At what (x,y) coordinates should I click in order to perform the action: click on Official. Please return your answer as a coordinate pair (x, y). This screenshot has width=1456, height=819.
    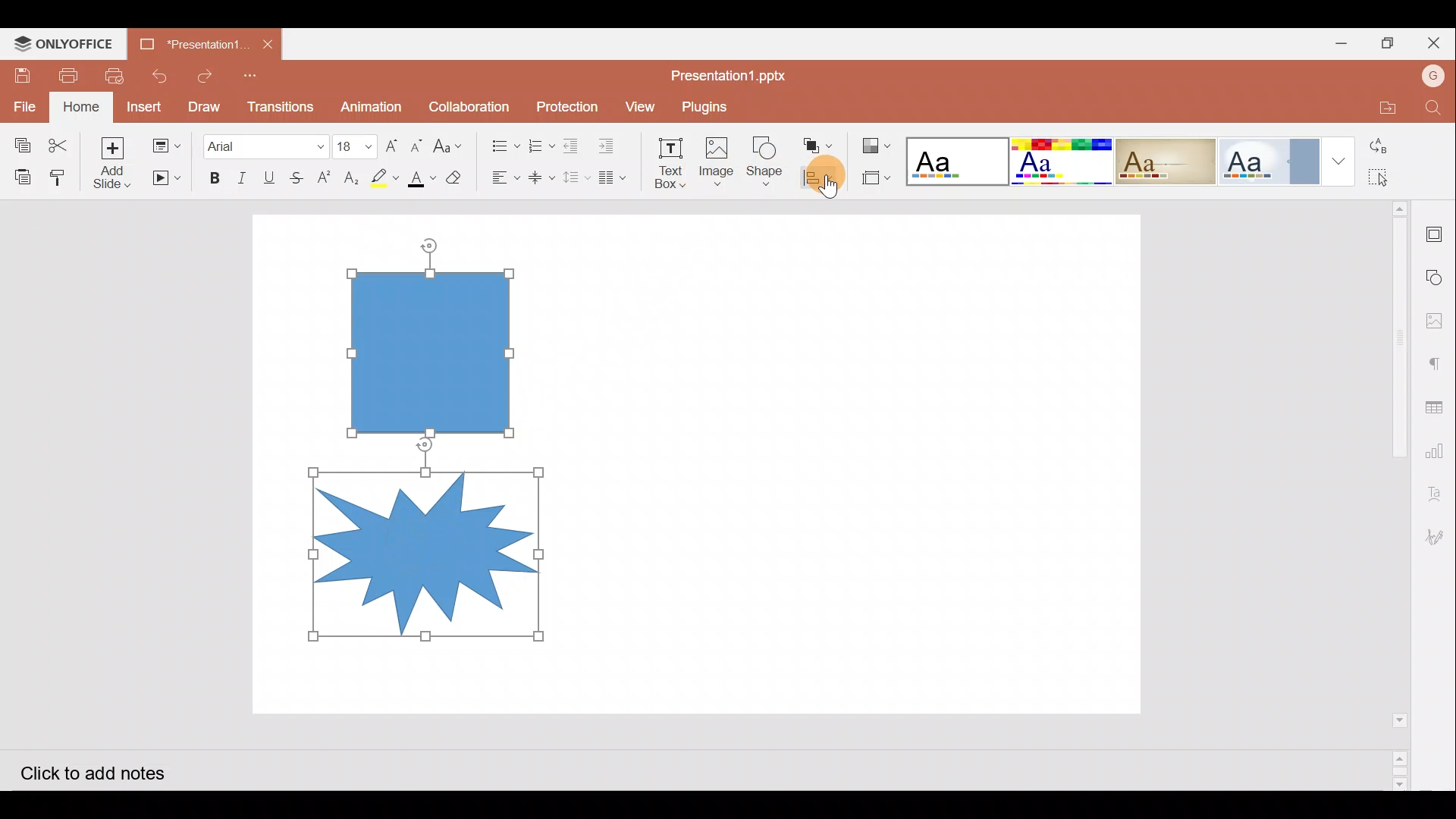
    Looking at the image, I should click on (1273, 160).